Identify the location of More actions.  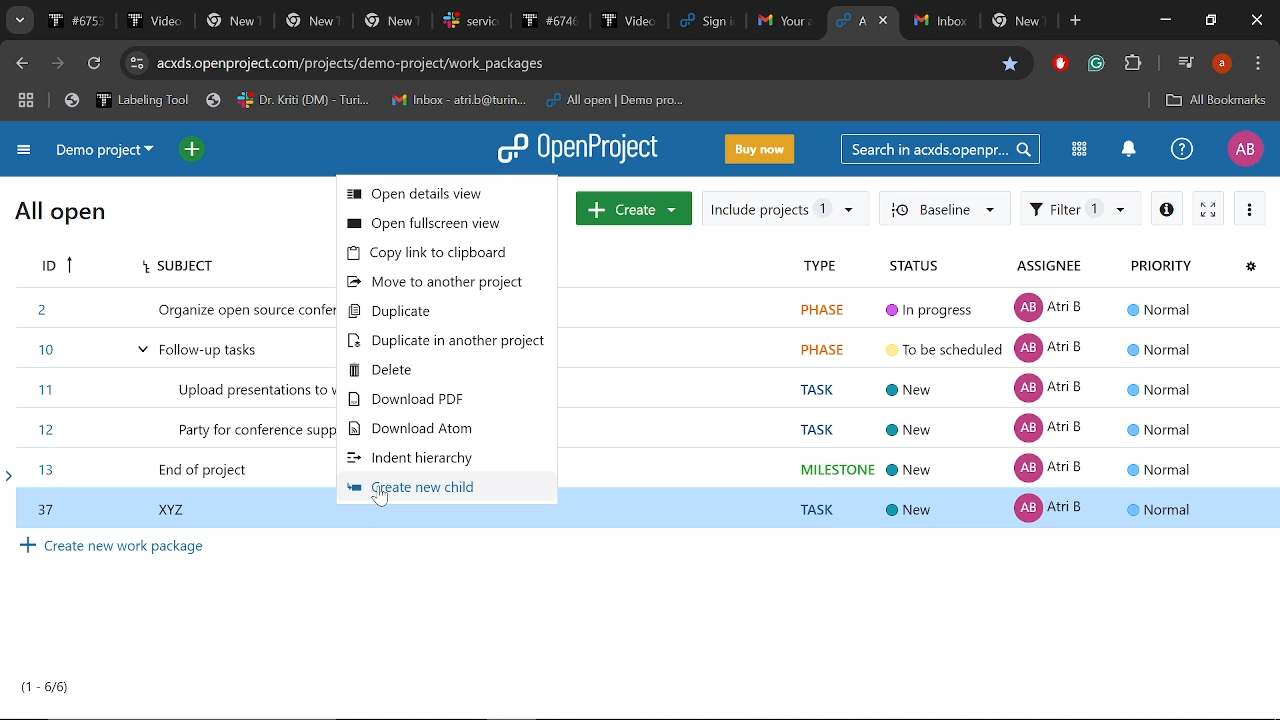
(1250, 208).